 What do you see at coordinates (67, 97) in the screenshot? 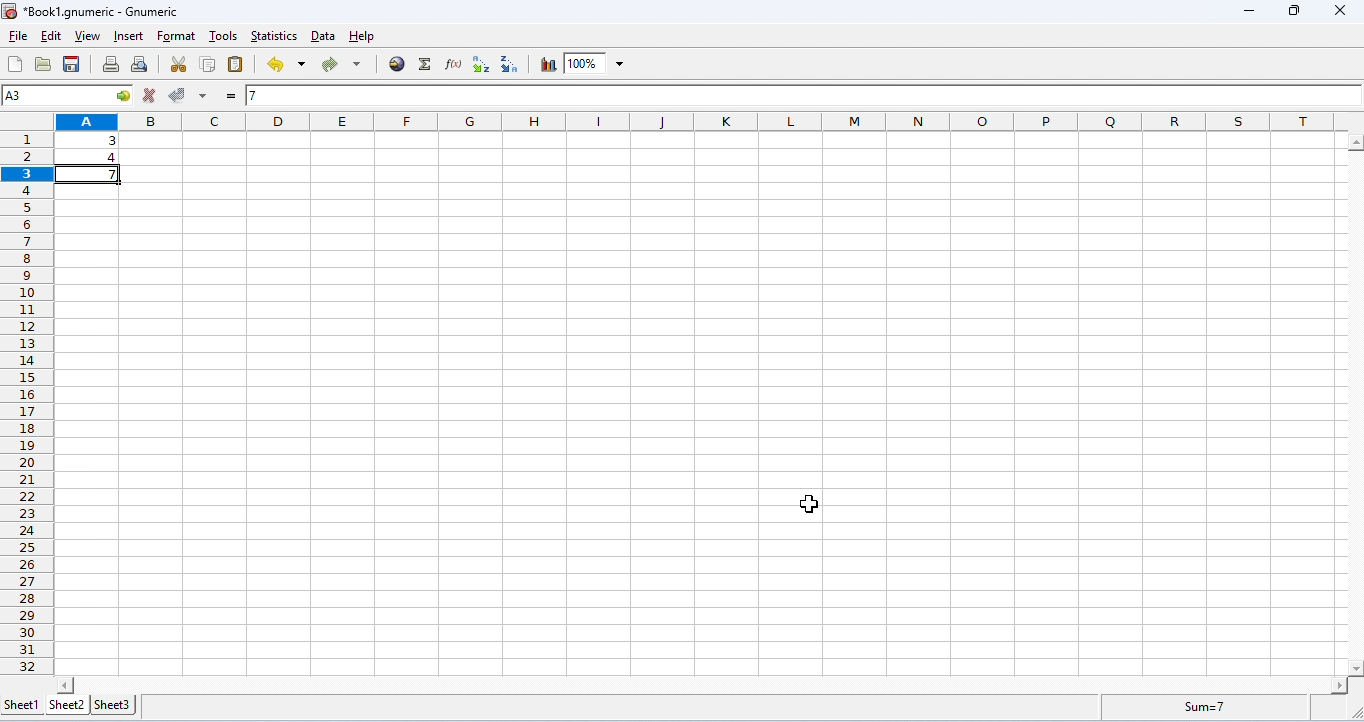
I see `selected cell` at bounding box center [67, 97].